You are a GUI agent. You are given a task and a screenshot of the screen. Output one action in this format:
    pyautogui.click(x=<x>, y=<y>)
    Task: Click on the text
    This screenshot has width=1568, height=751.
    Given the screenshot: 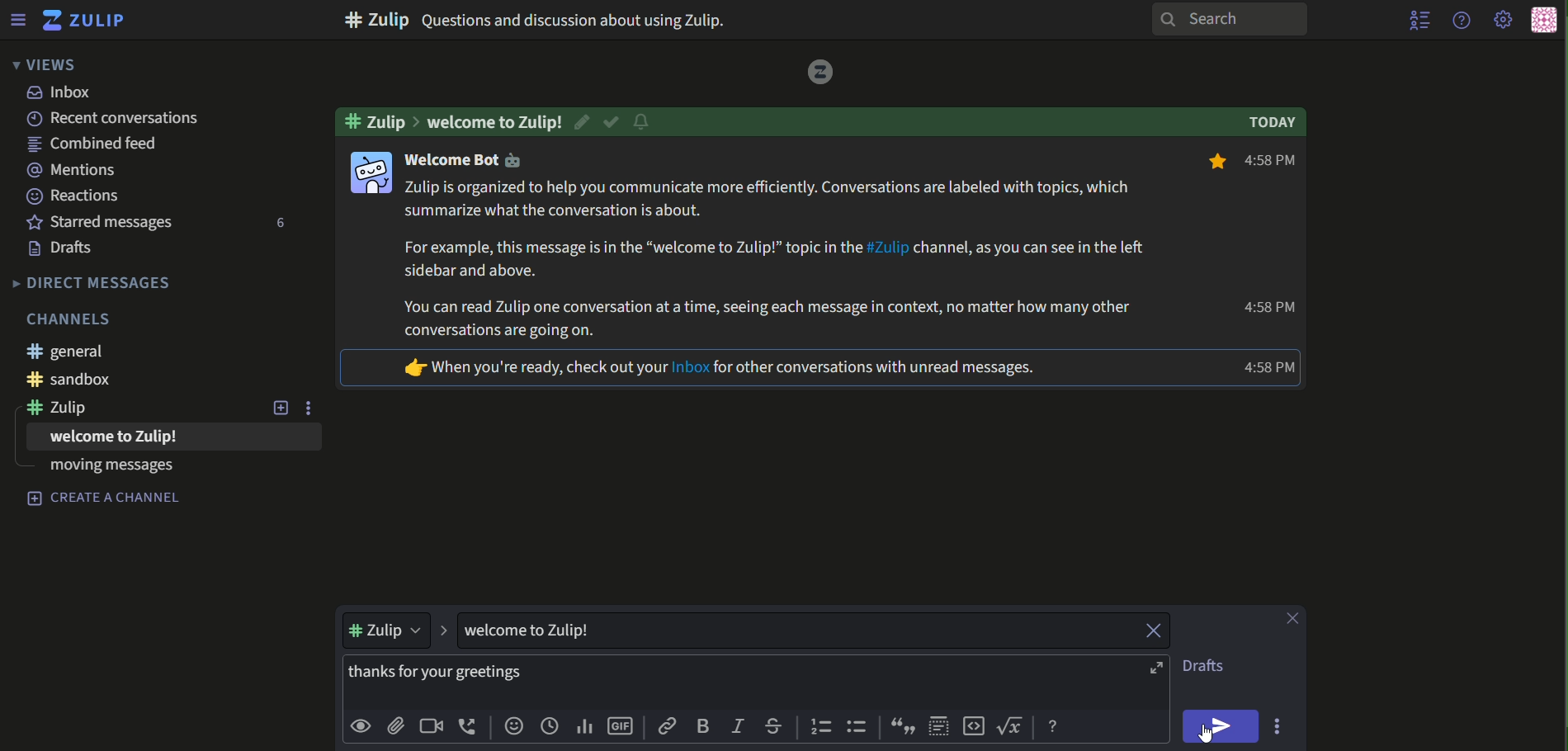 What is the action you would take?
    pyautogui.click(x=101, y=145)
    